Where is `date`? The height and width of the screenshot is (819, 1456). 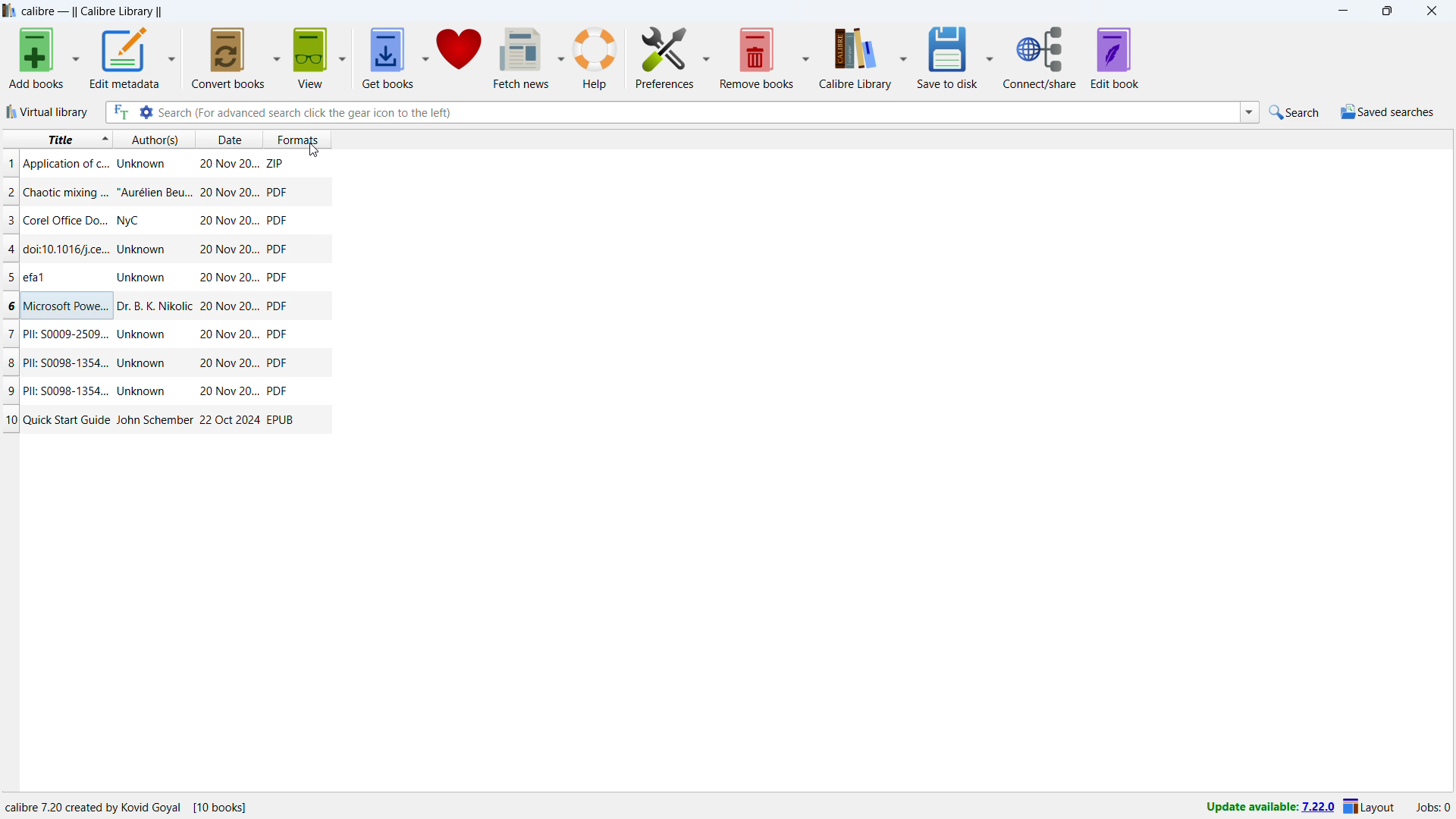
date is located at coordinates (227, 193).